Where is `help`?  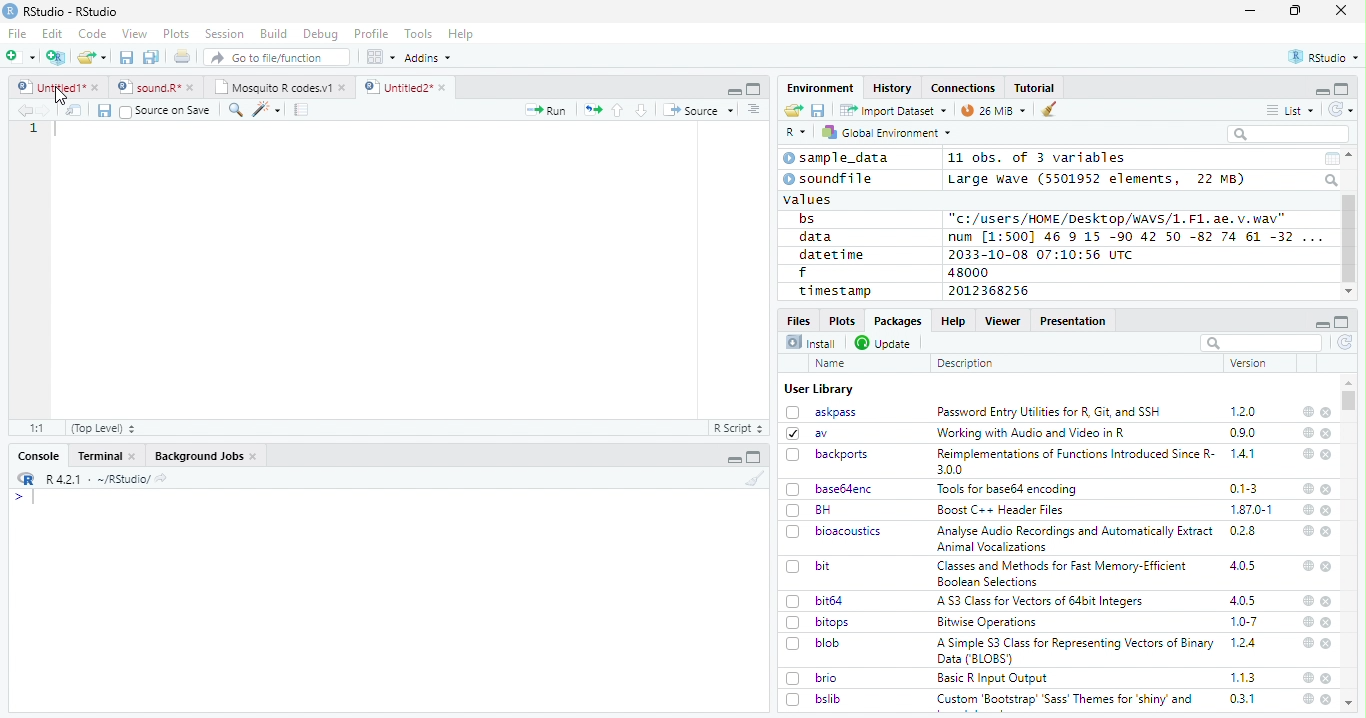 help is located at coordinates (1308, 677).